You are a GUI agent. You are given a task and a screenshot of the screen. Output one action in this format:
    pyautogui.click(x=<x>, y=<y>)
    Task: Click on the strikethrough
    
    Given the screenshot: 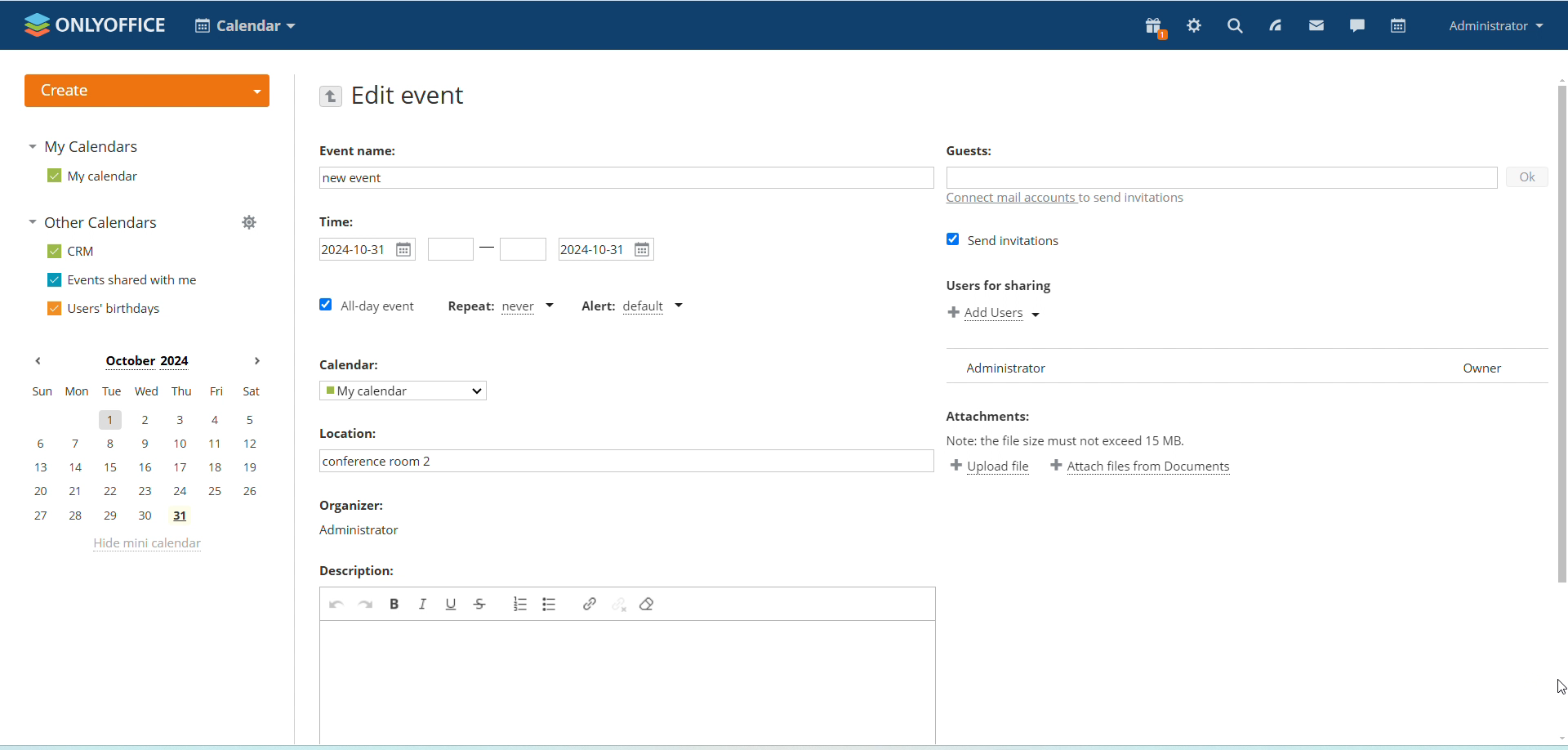 What is the action you would take?
    pyautogui.click(x=480, y=604)
    